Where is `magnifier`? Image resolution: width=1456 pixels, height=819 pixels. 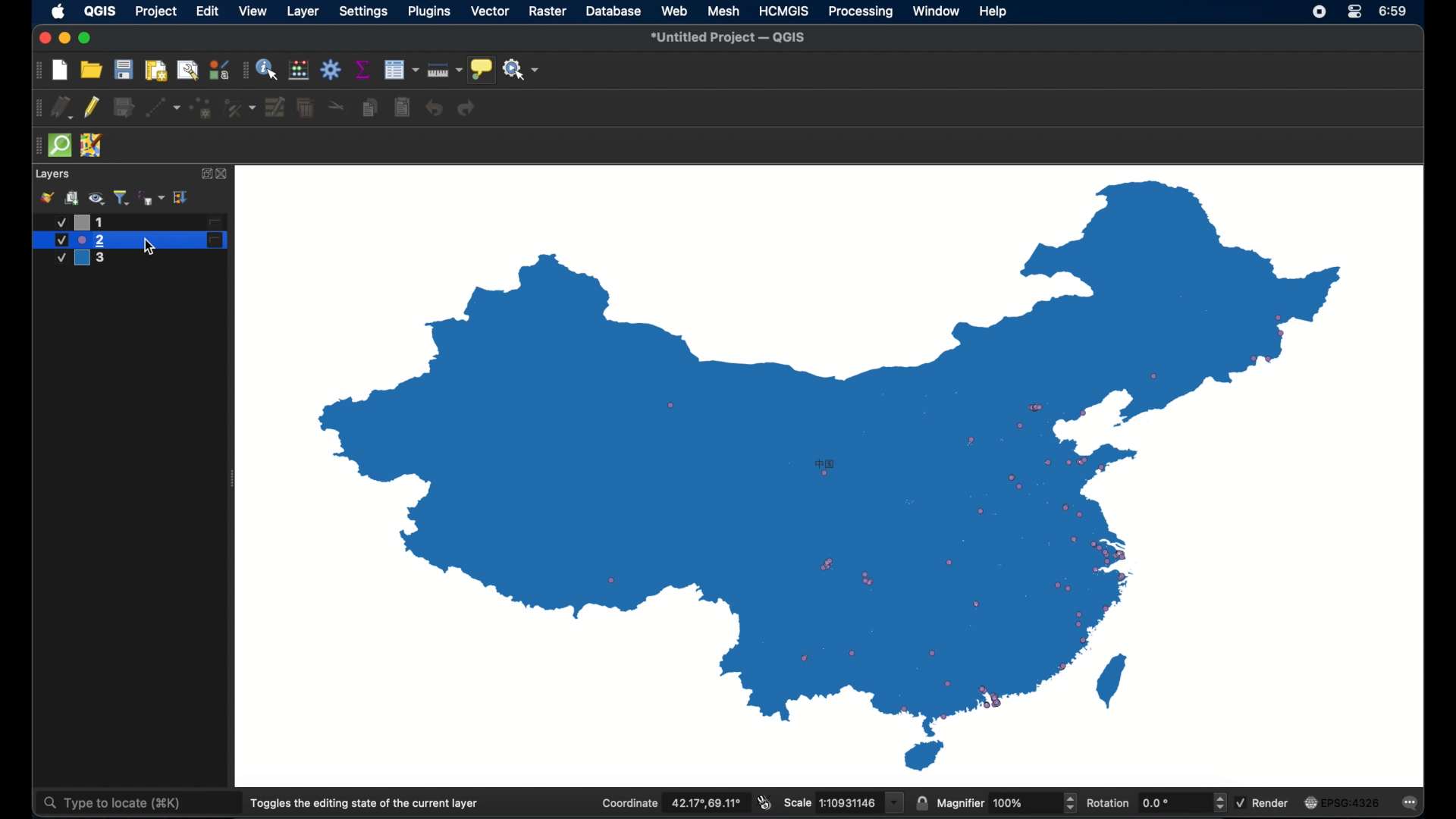 magnifier is located at coordinates (1006, 803).